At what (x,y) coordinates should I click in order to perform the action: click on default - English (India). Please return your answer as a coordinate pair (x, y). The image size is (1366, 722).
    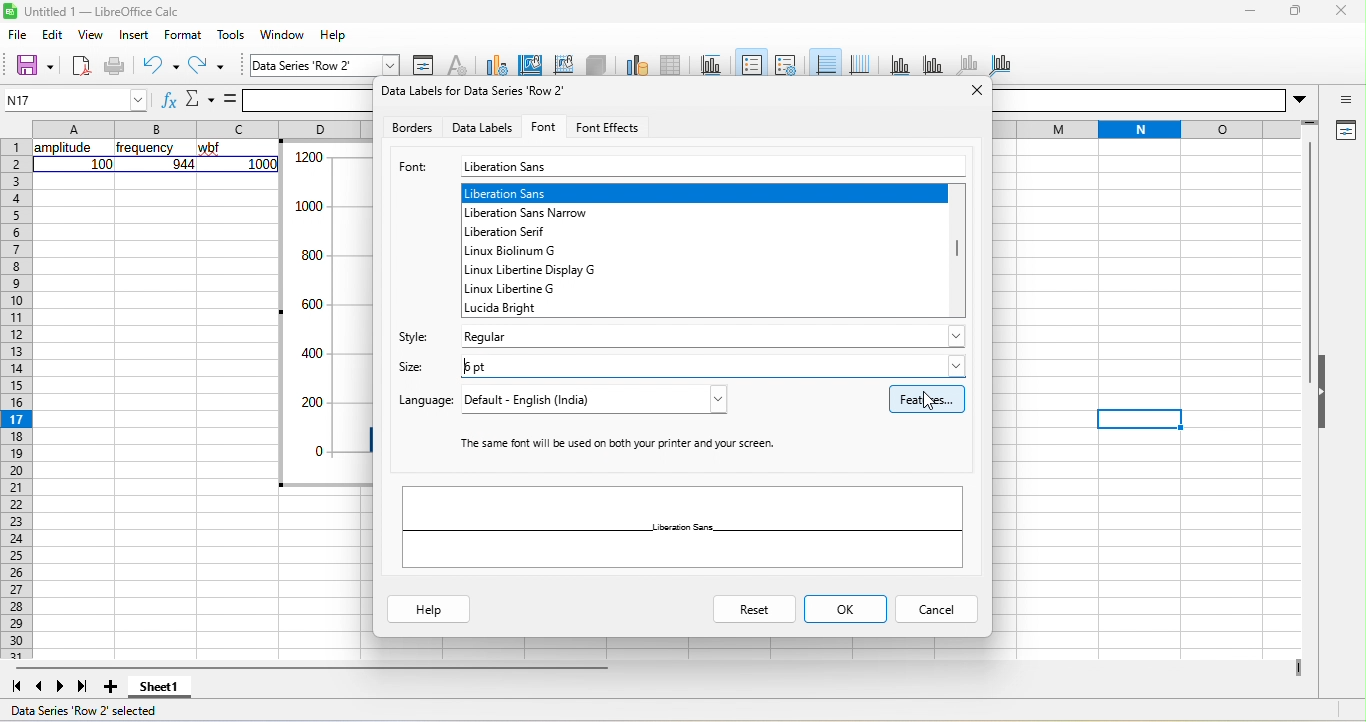
    Looking at the image, I should click on (601, 400).